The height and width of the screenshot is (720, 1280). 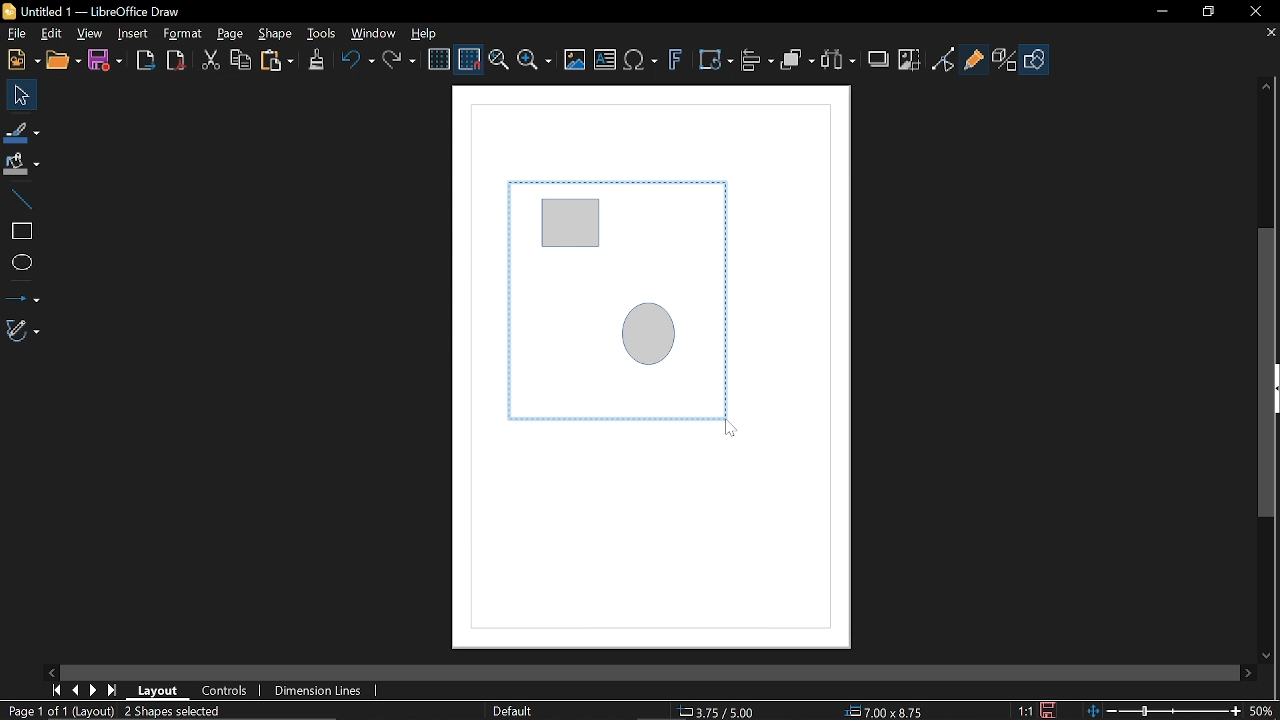 I want to click on Save, so click(x=108, y=61).